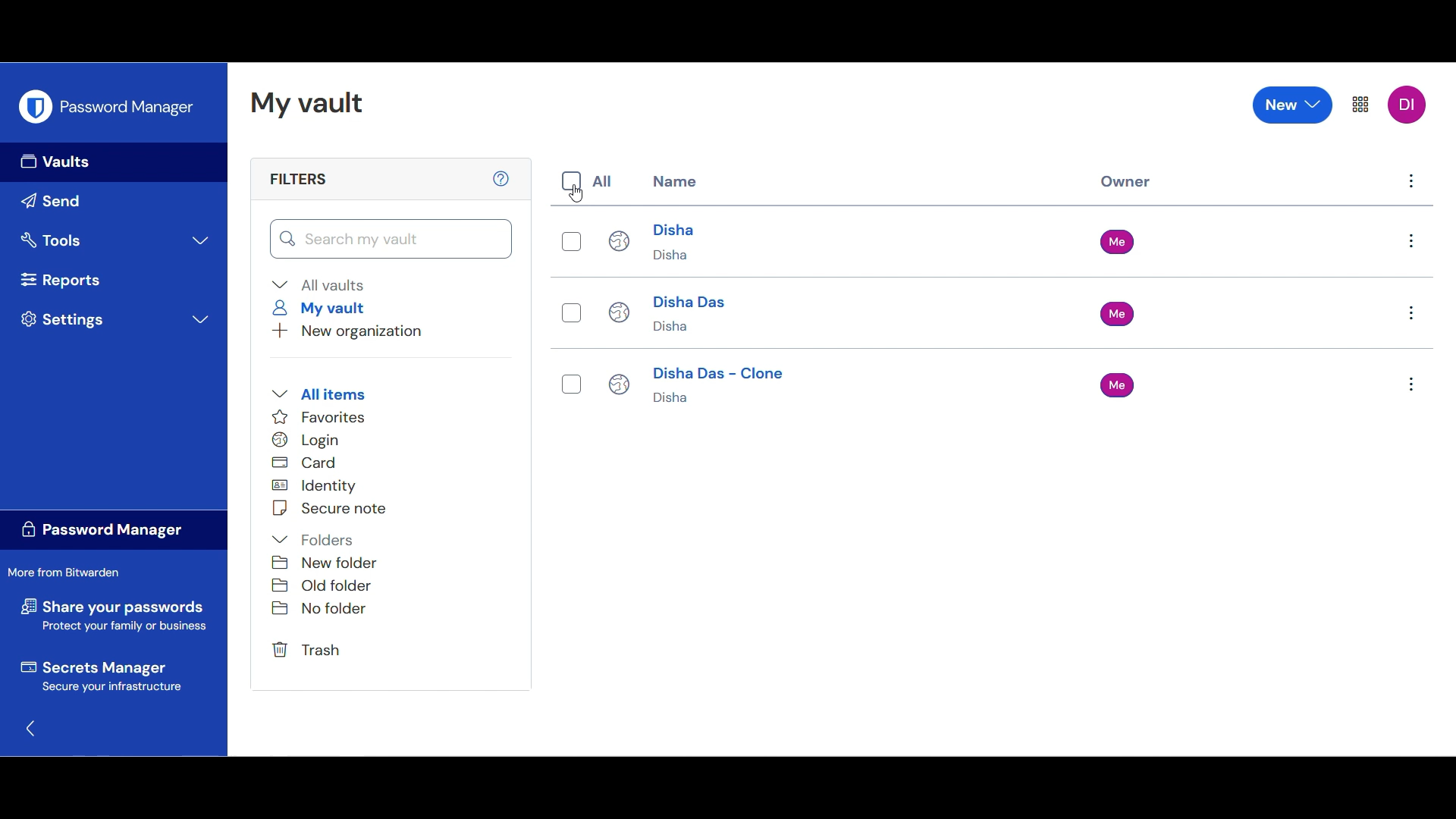 This screenshot has height=819, width=1456. Describe the element at coordinates (115, 240) in the screenshot. I see `Expand tools` at that location.